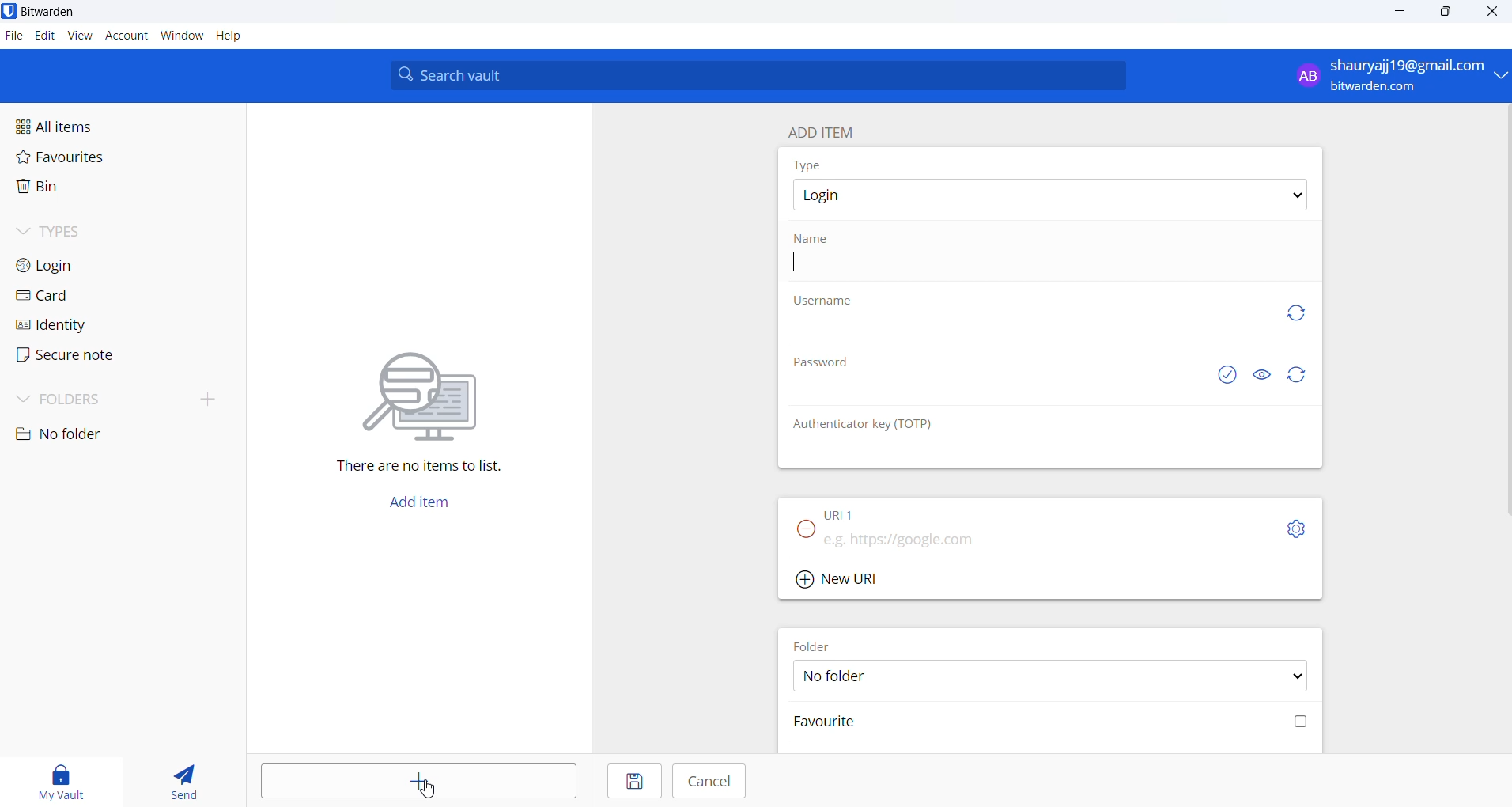 The width and height of the screenshot is (1512, 807). What do you see at coordinates (63, 355) in the screenshot?
I see `secure note` at bounding box center [63, 355].